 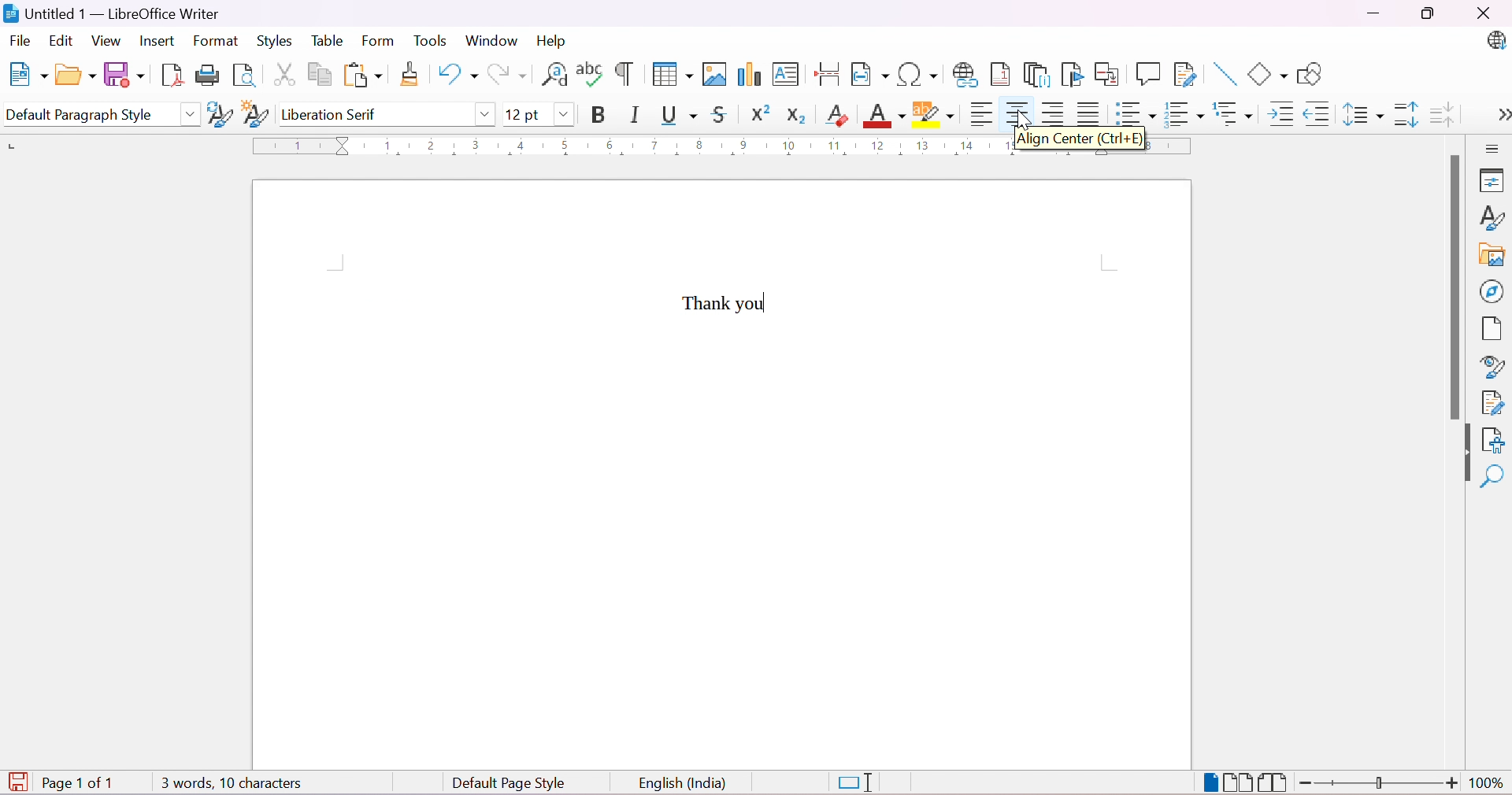 I want to click on Increase Paragraph Spacing, so click(x=1403, y=113).